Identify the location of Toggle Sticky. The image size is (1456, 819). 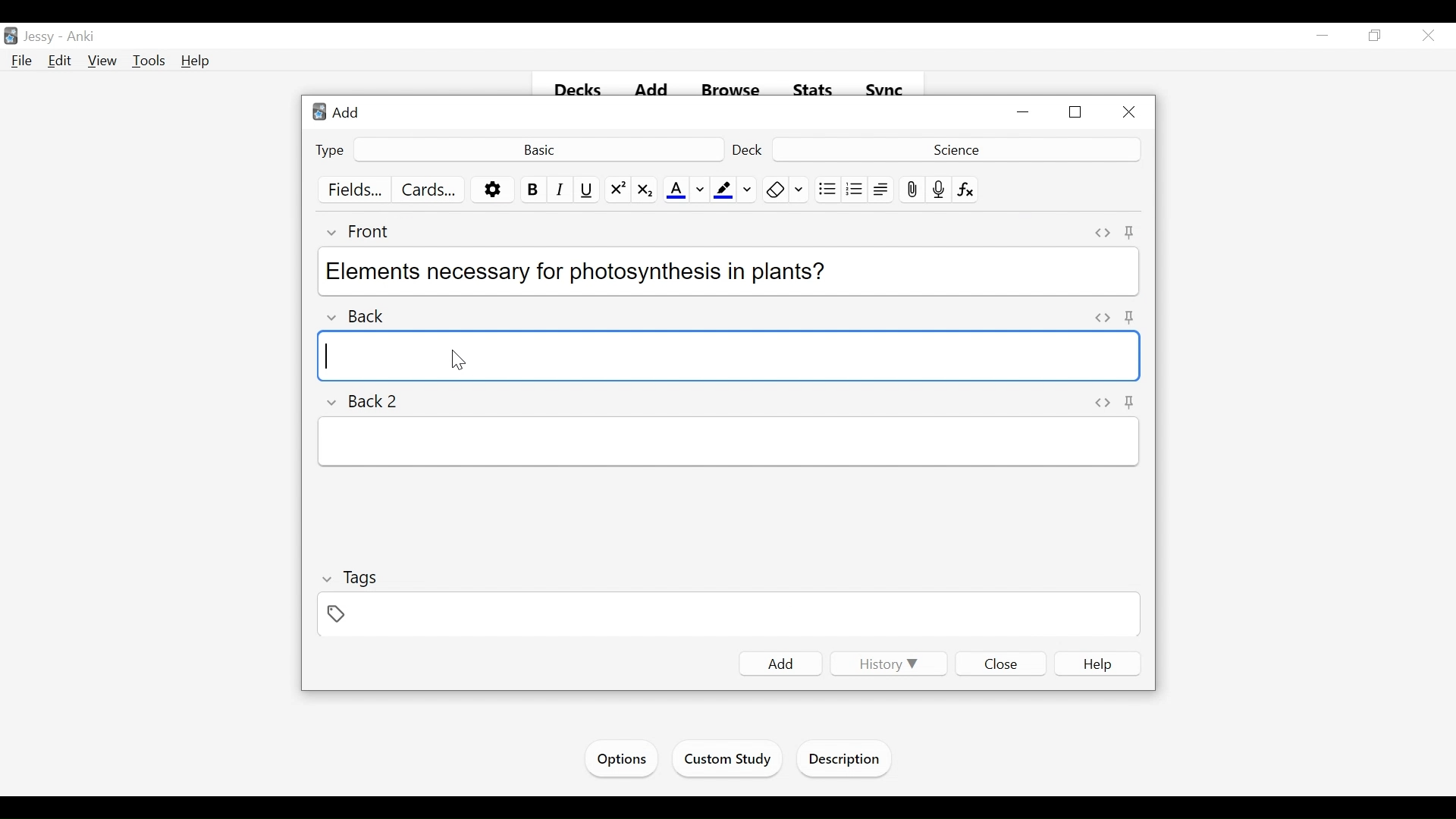
(1128, 318).